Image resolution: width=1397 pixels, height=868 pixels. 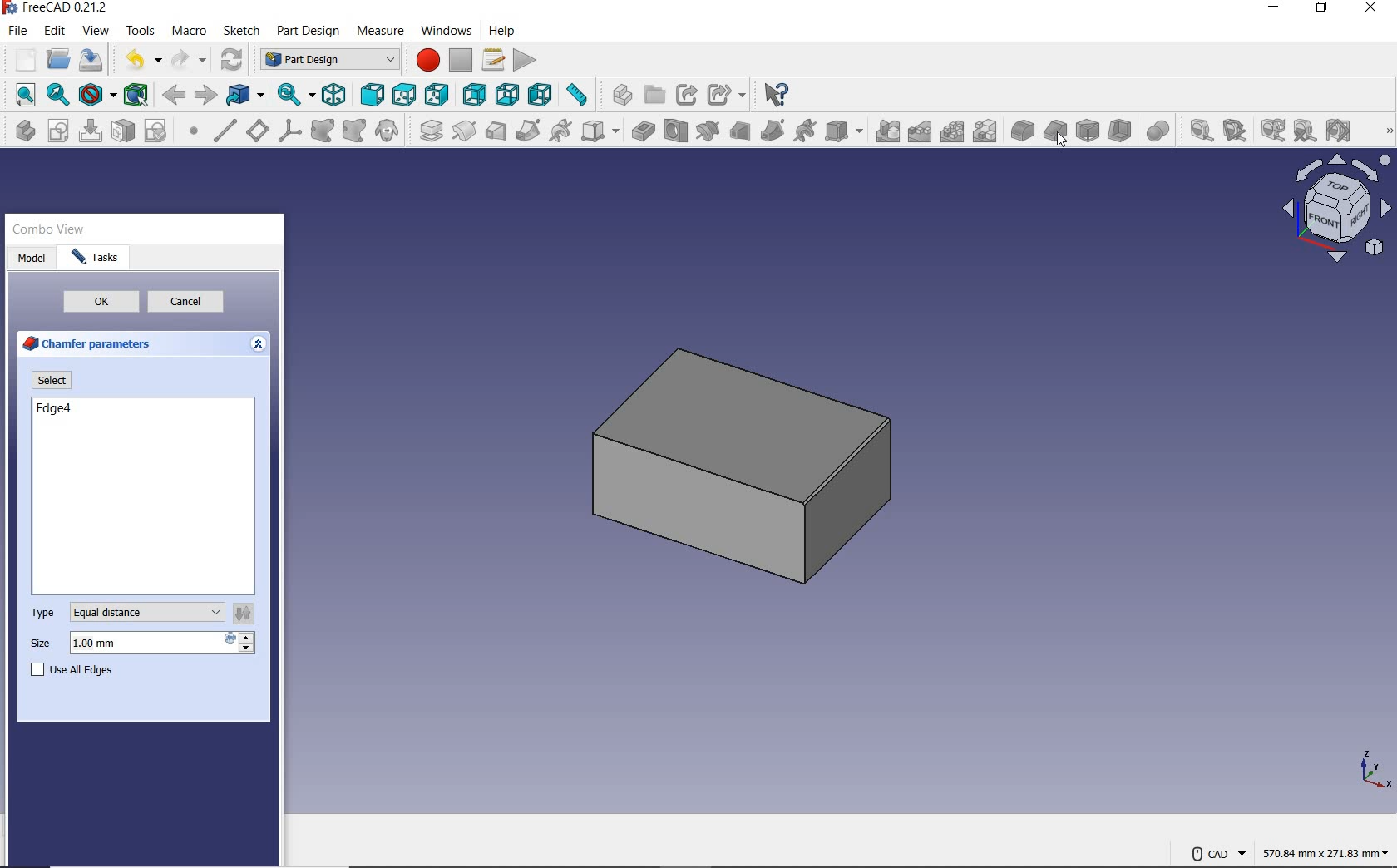 What do you see at coordinates (96, 96) in the screenshot?
I see `draw style` at bounding box center [96, 96].